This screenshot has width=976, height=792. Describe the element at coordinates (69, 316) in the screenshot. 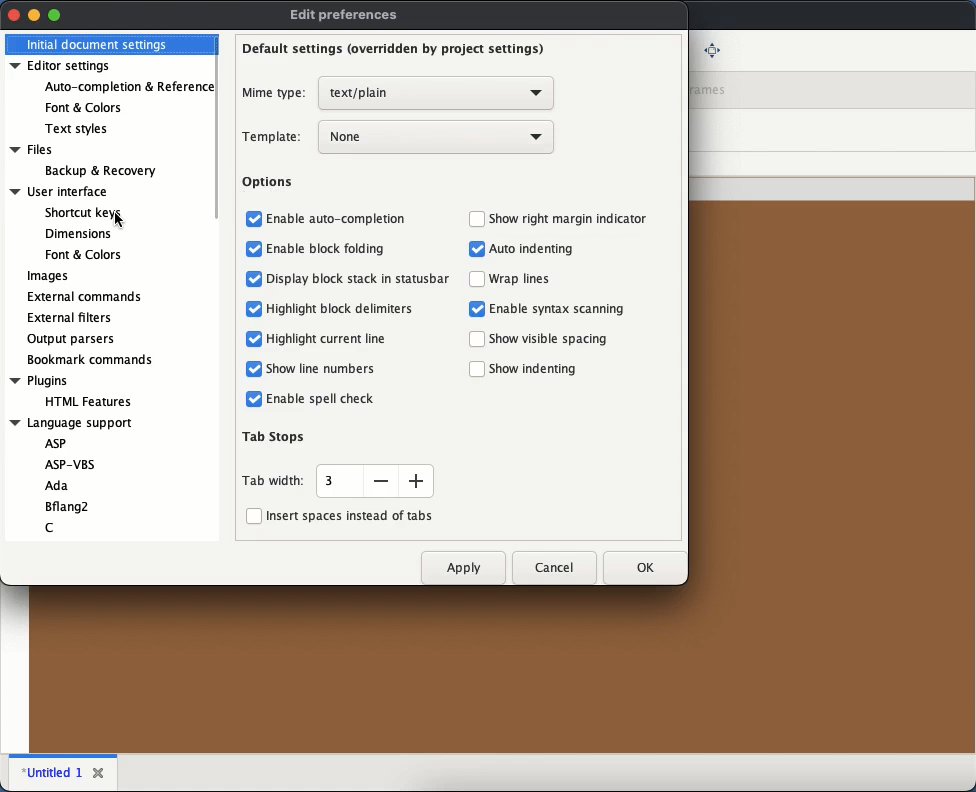

I see `external filters` at that location.